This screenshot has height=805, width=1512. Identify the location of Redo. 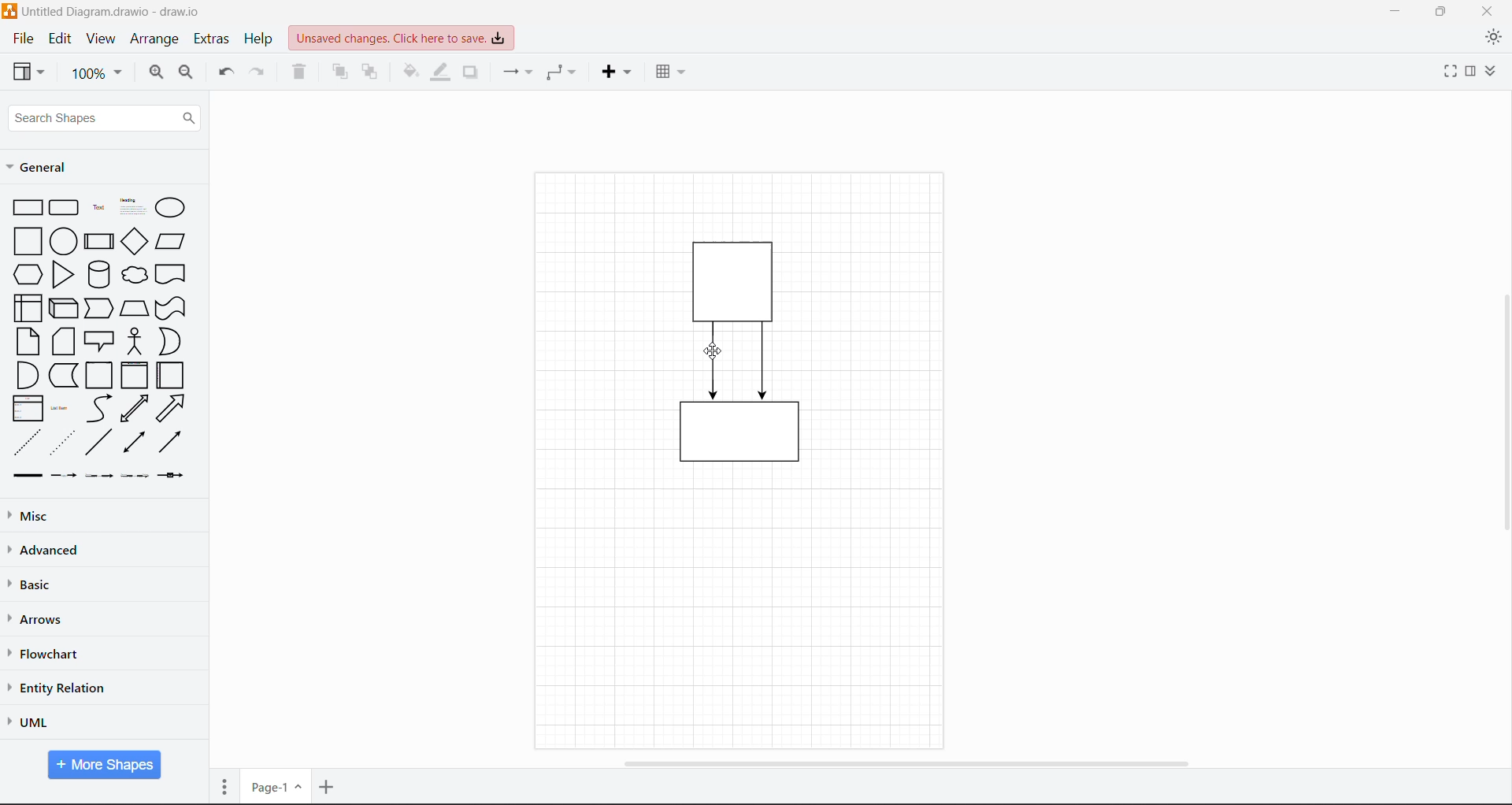
(260, 73).